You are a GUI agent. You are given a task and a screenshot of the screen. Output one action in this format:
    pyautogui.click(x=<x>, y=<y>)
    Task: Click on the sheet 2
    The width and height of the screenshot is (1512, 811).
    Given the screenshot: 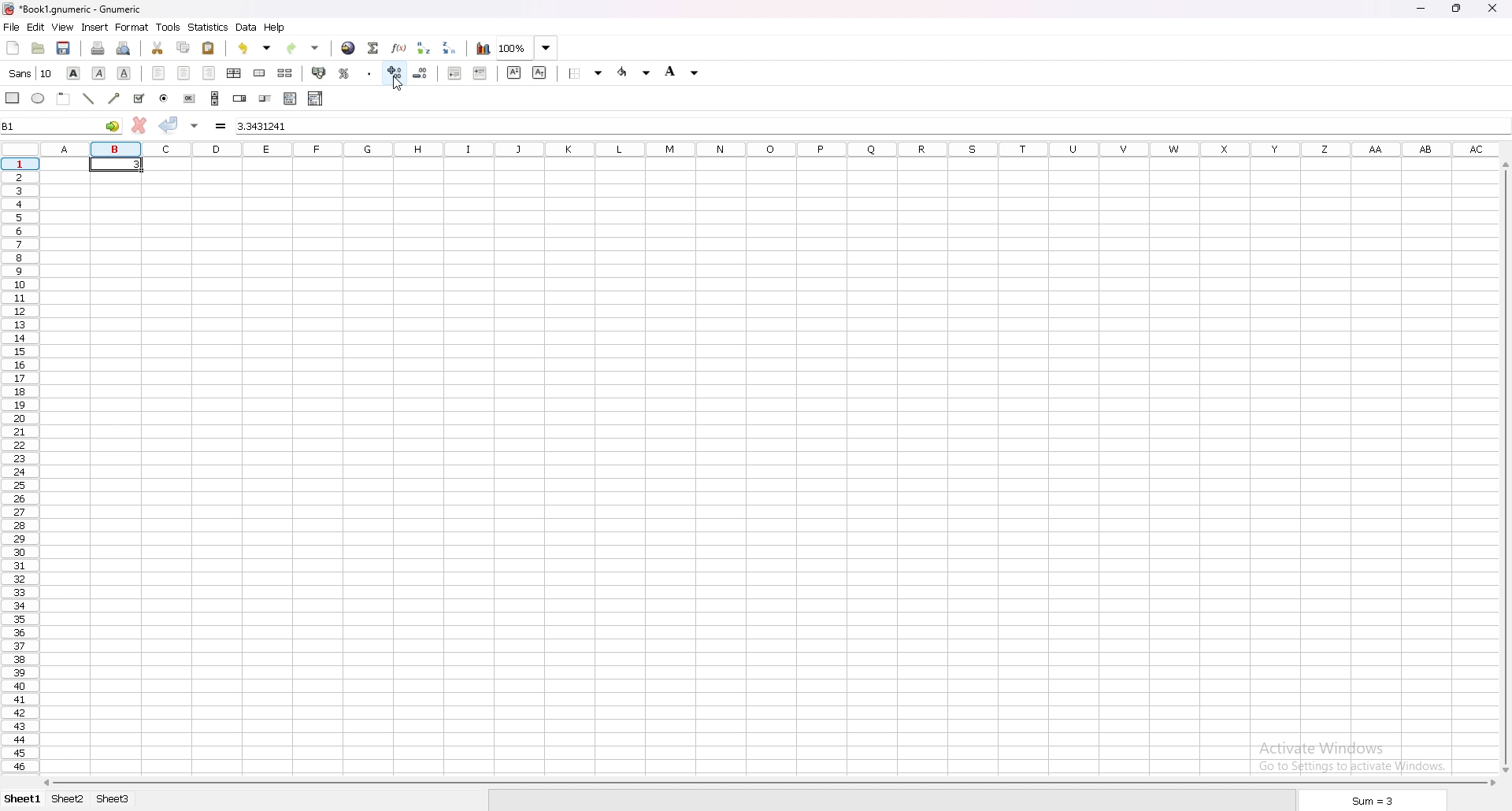 What is the action you would take?
    pyautogui.click(x=70, y=798)
    